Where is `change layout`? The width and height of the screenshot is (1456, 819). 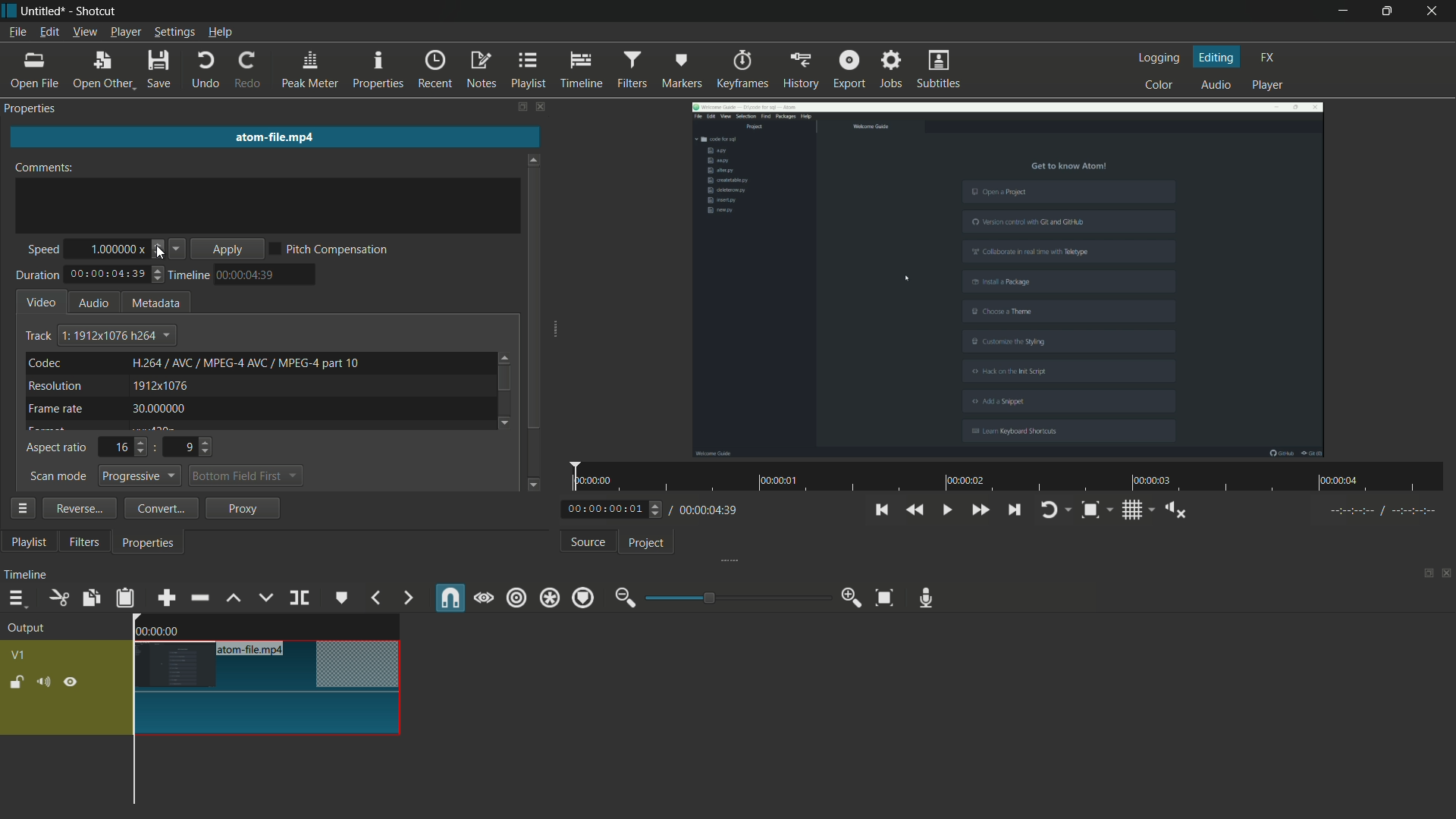
change layout is located at coordinates (1426, 573).